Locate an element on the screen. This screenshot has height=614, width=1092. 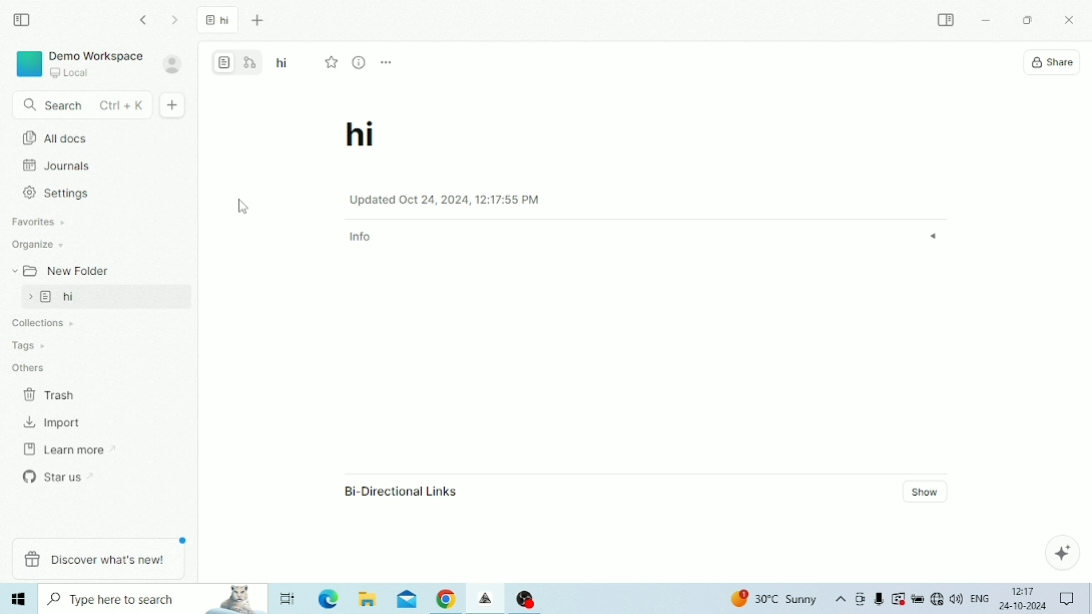
hi is located at coordinates (218, 22).